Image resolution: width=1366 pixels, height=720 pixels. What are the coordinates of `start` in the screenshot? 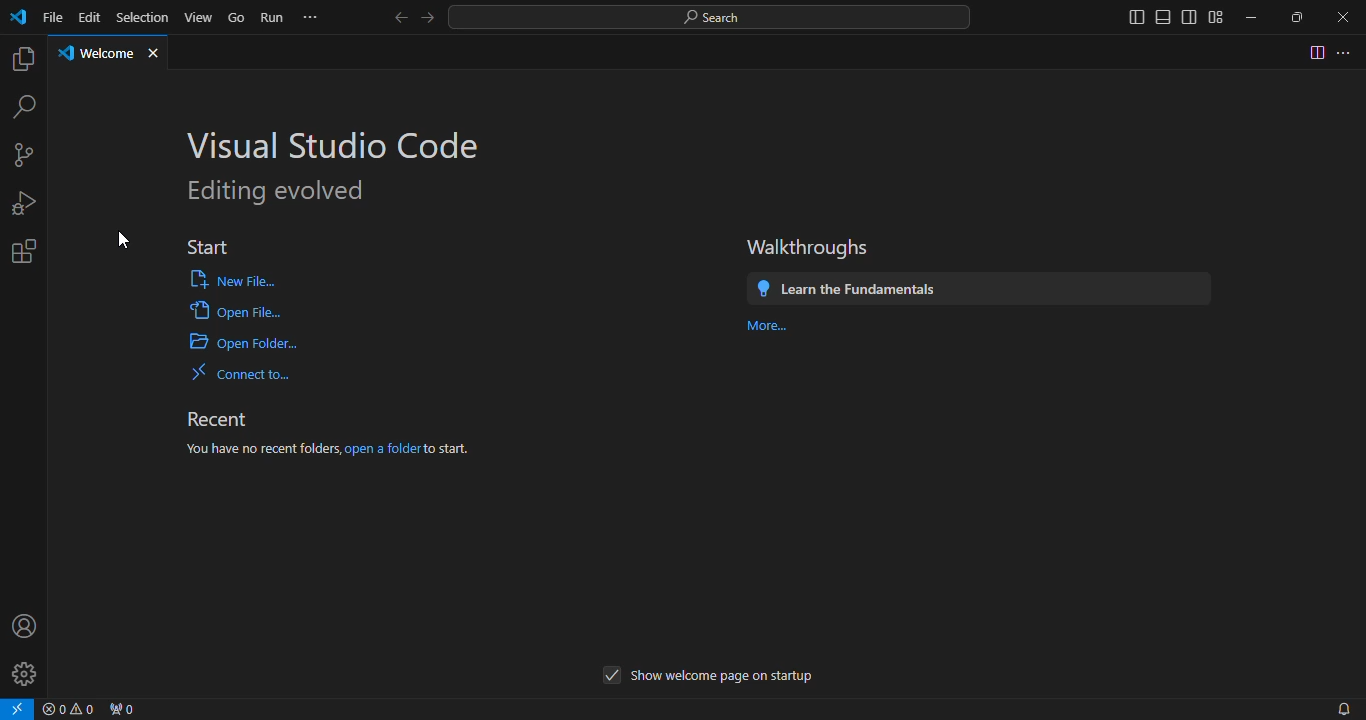 It's located at (206, 238).